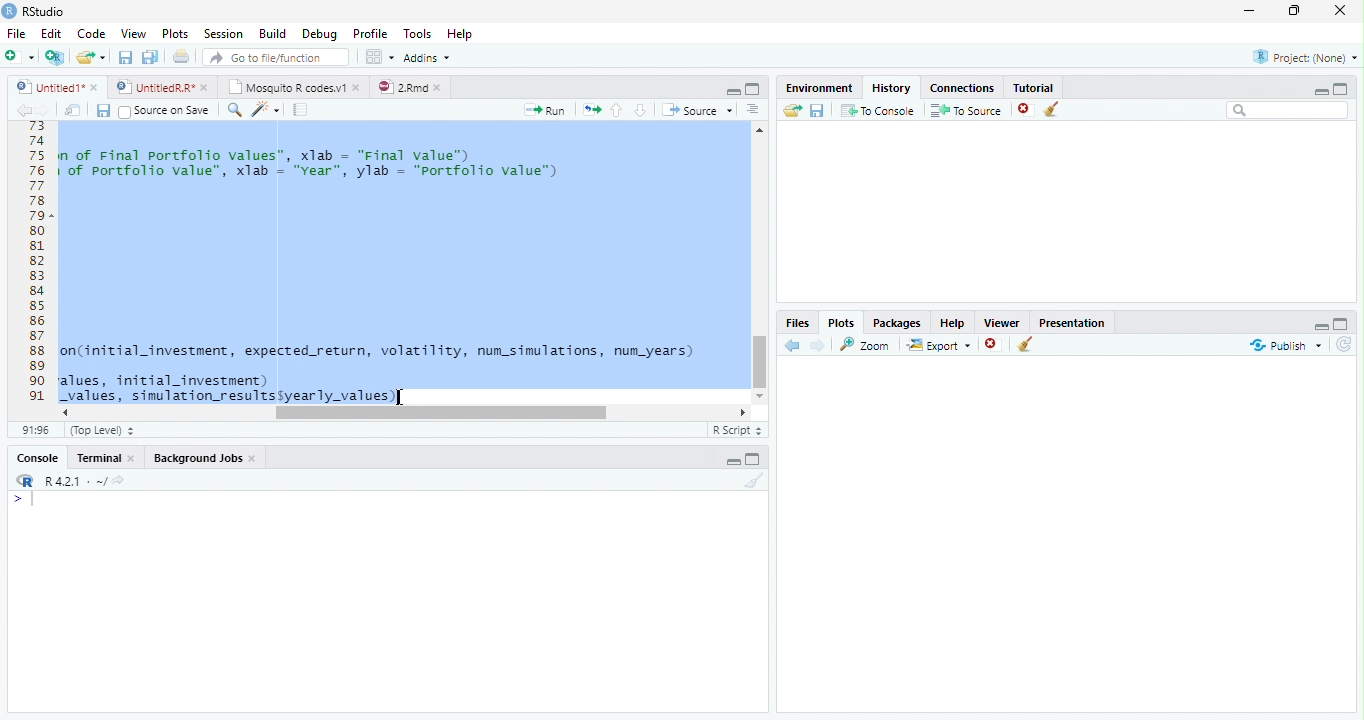  I want to click on Mosquito R codes.v1, so click(292, 86).